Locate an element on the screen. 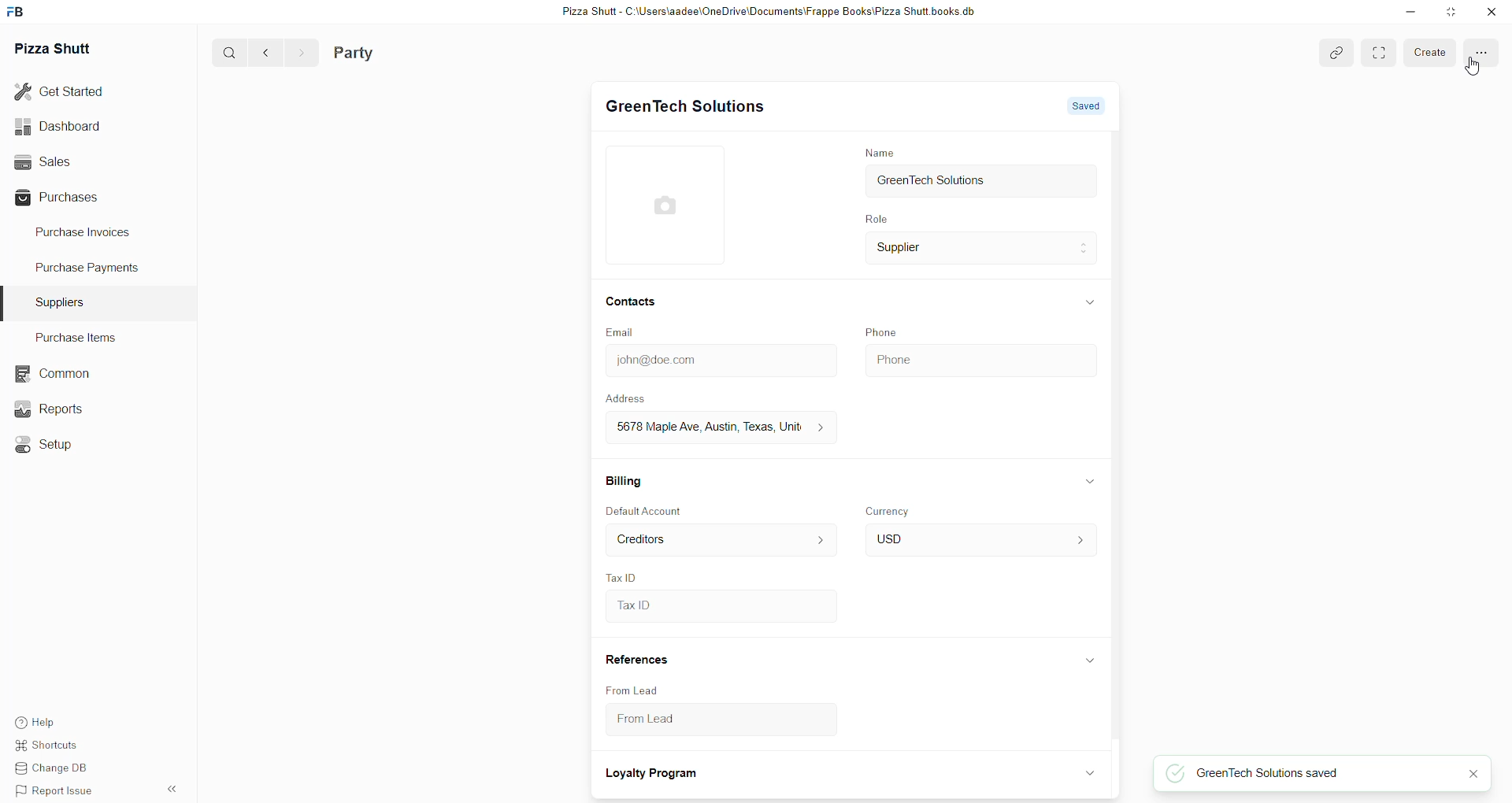 The width and height of the screenshot is (1512, 803). frappe books is located at coordinates (20, 13).